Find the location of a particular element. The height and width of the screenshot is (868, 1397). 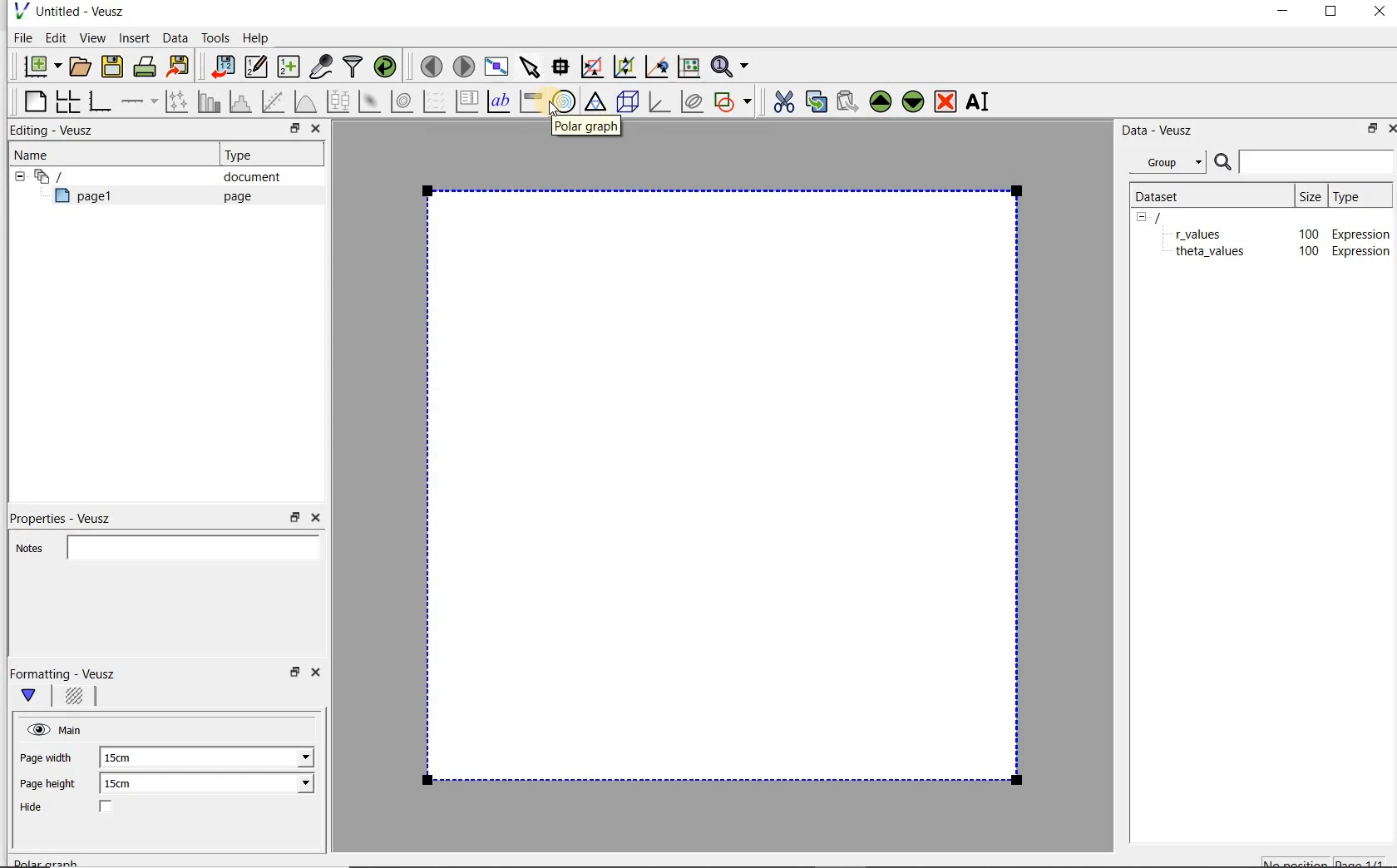

ternary graph is located at coordinates (597, 102).